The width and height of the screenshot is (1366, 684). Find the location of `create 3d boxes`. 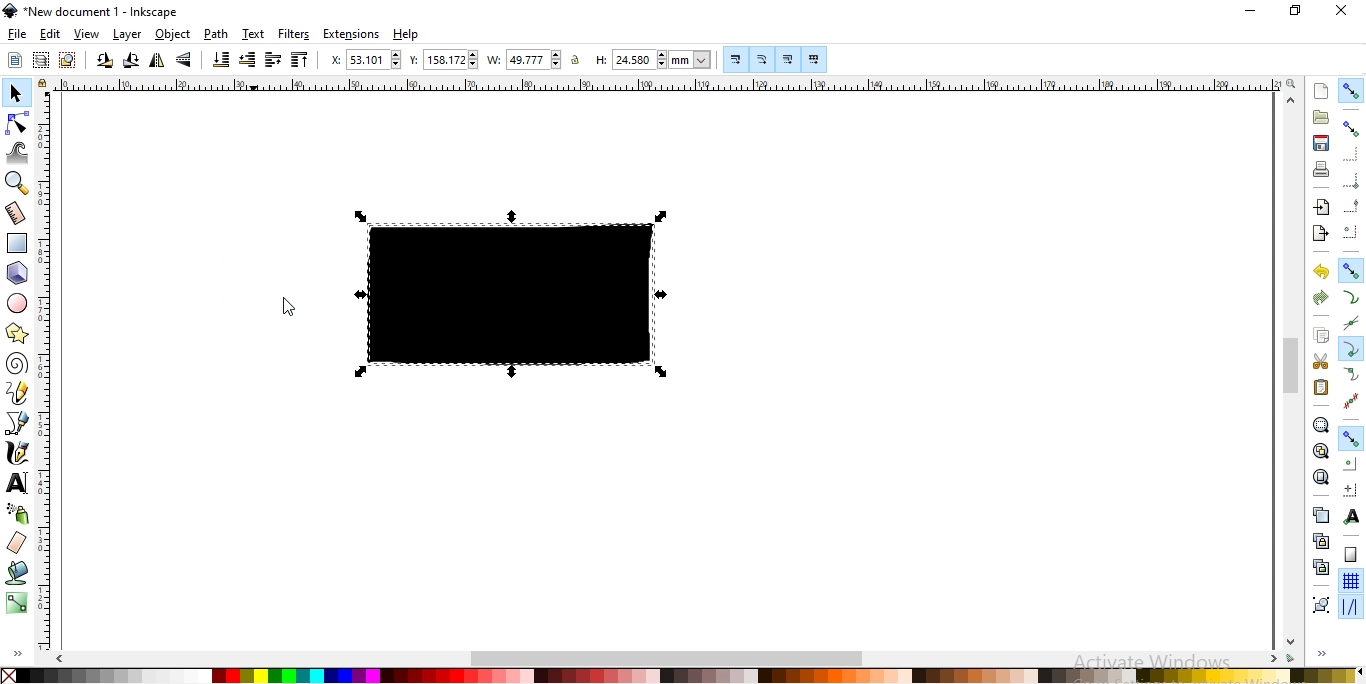

create 3d boxes is located at coordinates (17, 274).